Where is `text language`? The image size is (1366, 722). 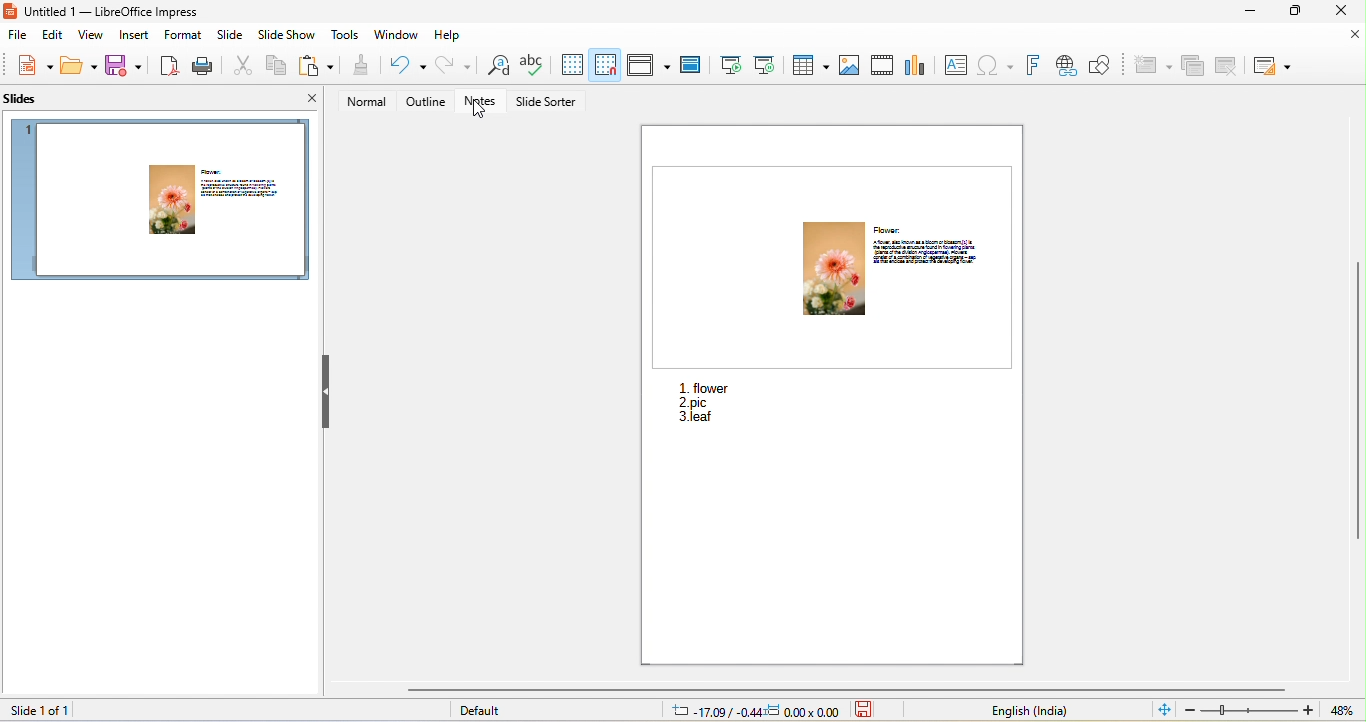 text language is located at coordinates (1039, 709).